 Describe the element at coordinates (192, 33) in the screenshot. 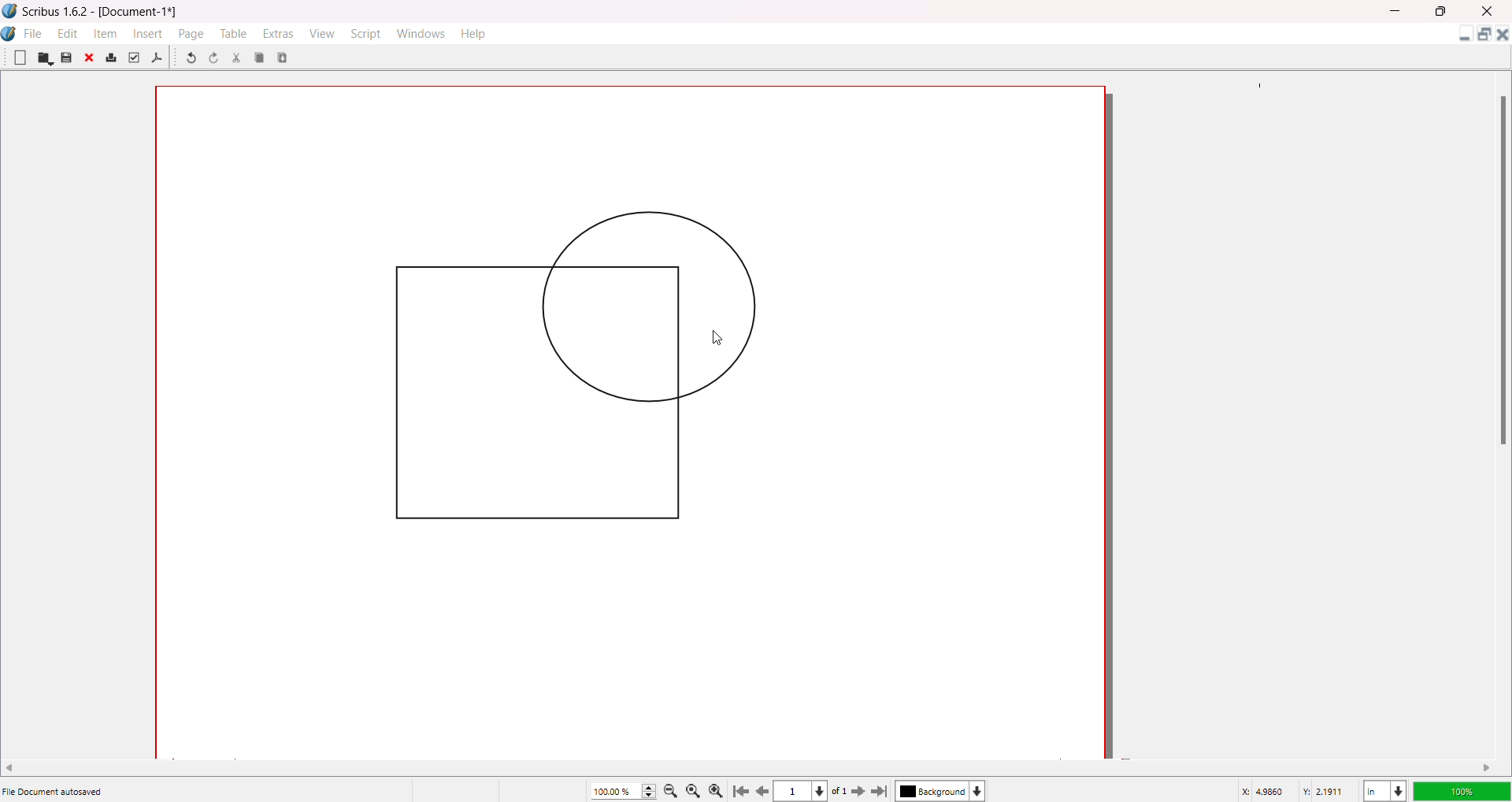

I see `Page` at that location.